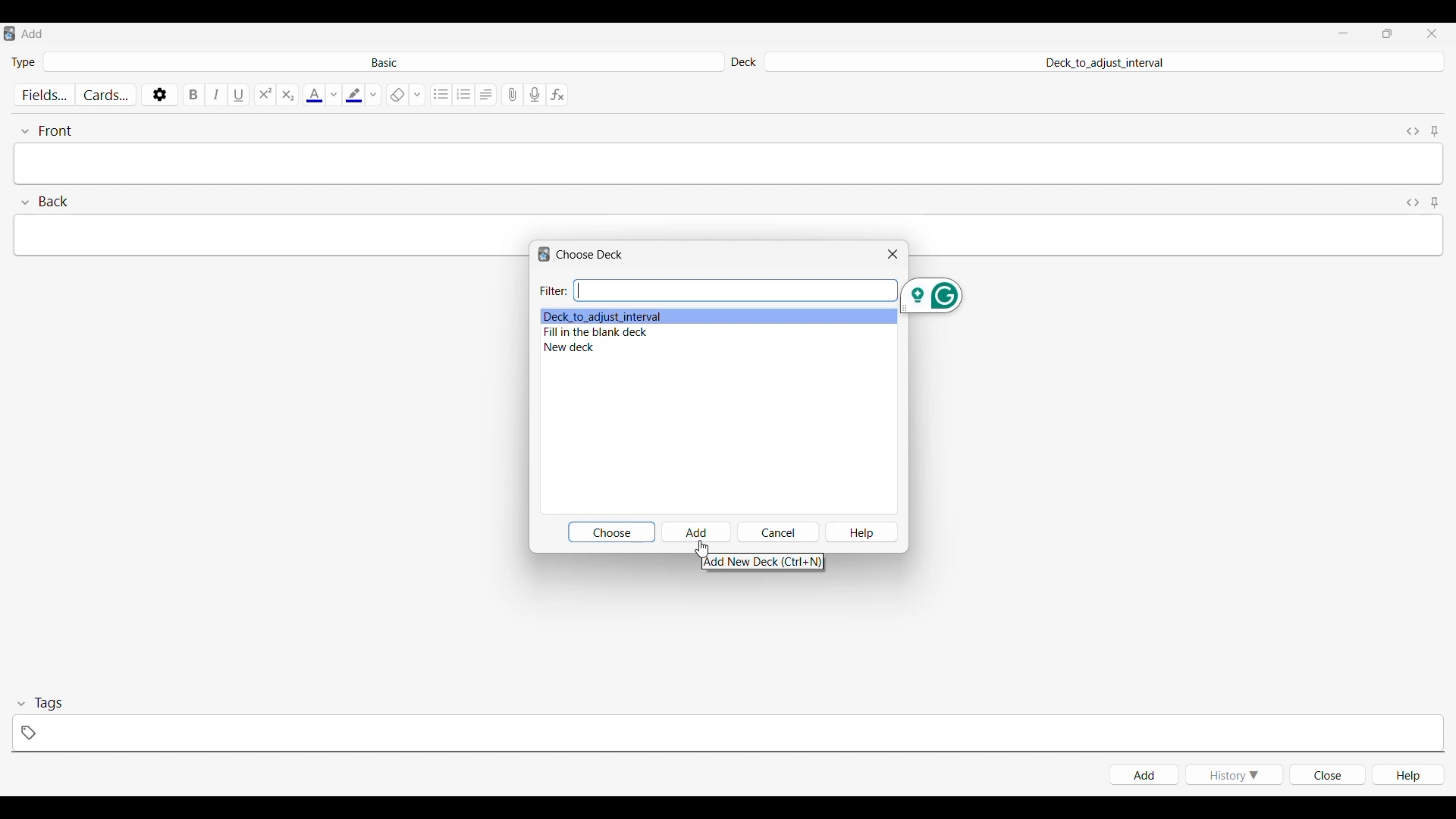 The image size is (1456, 819). Describe the element at coordinates (486, 95) in the screenshot. I see `Alignment` at that location.